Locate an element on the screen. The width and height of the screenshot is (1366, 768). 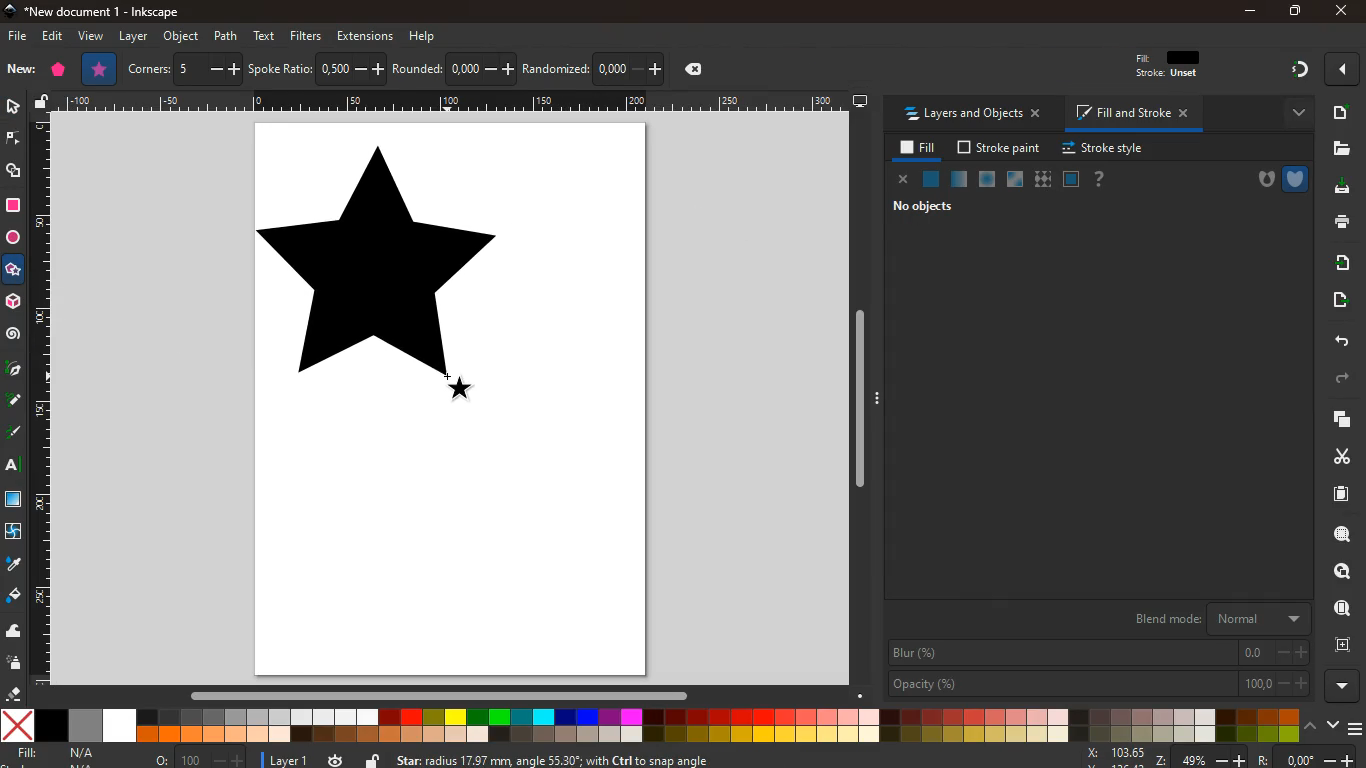
star is located at coordinates (100, 69).